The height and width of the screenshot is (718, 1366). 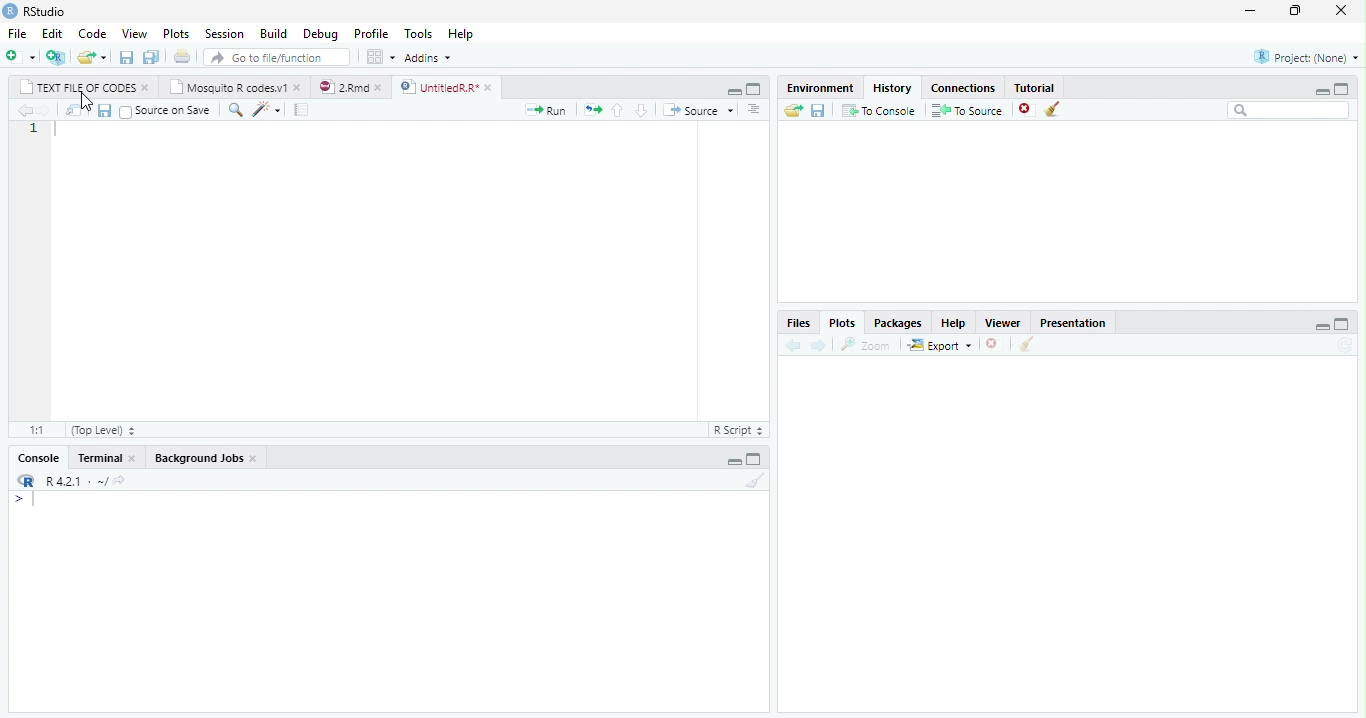 What do you see at coordinates (1324, 326) in the screenshot?
I see `minimize` at bounding box center [1324, 326].